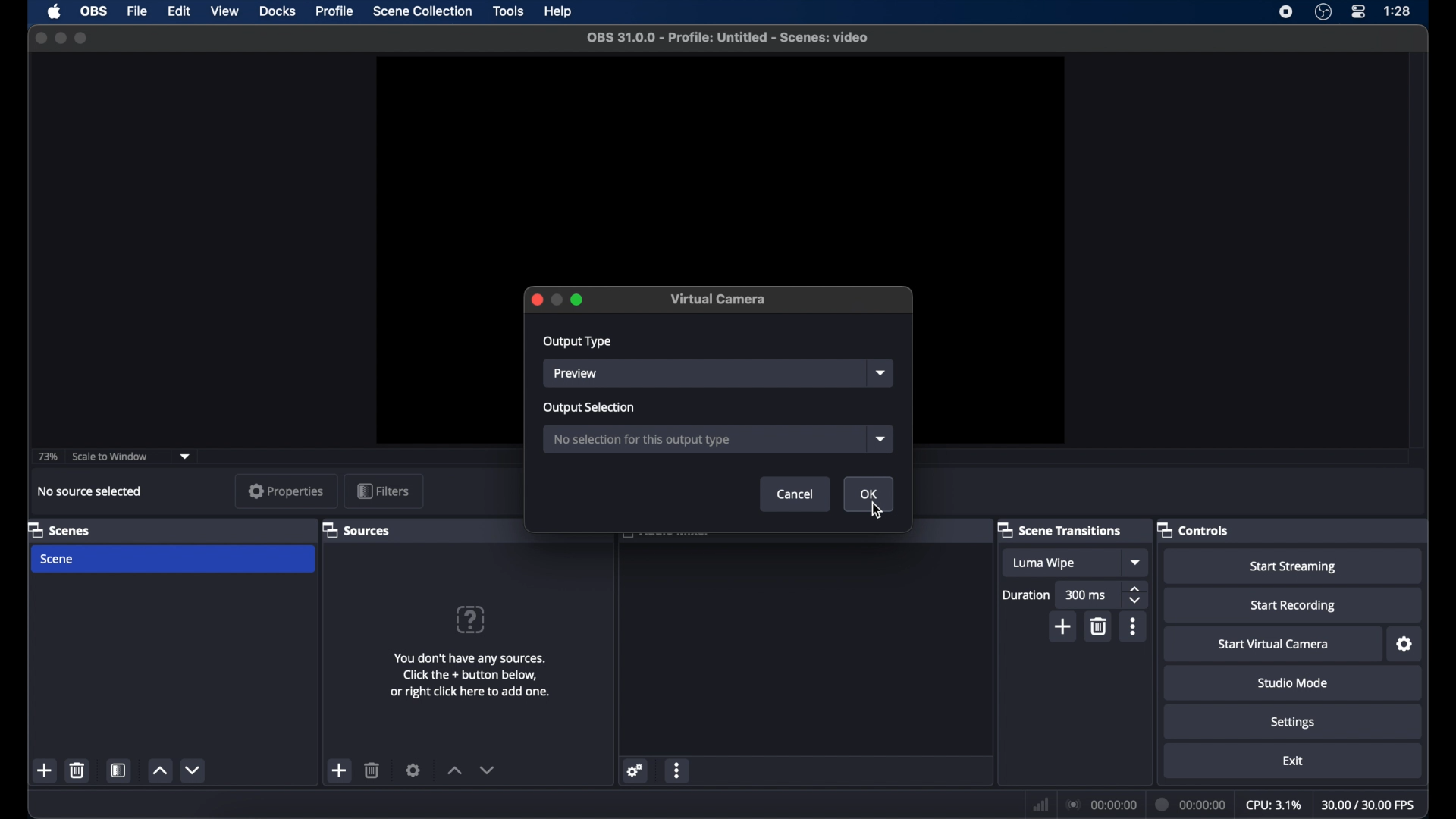 Image resolution: width=1456 pixels, height=819 pixels. Describe the element at coordinates (65, 531) in the screenshot. I see `scenes` at that location.